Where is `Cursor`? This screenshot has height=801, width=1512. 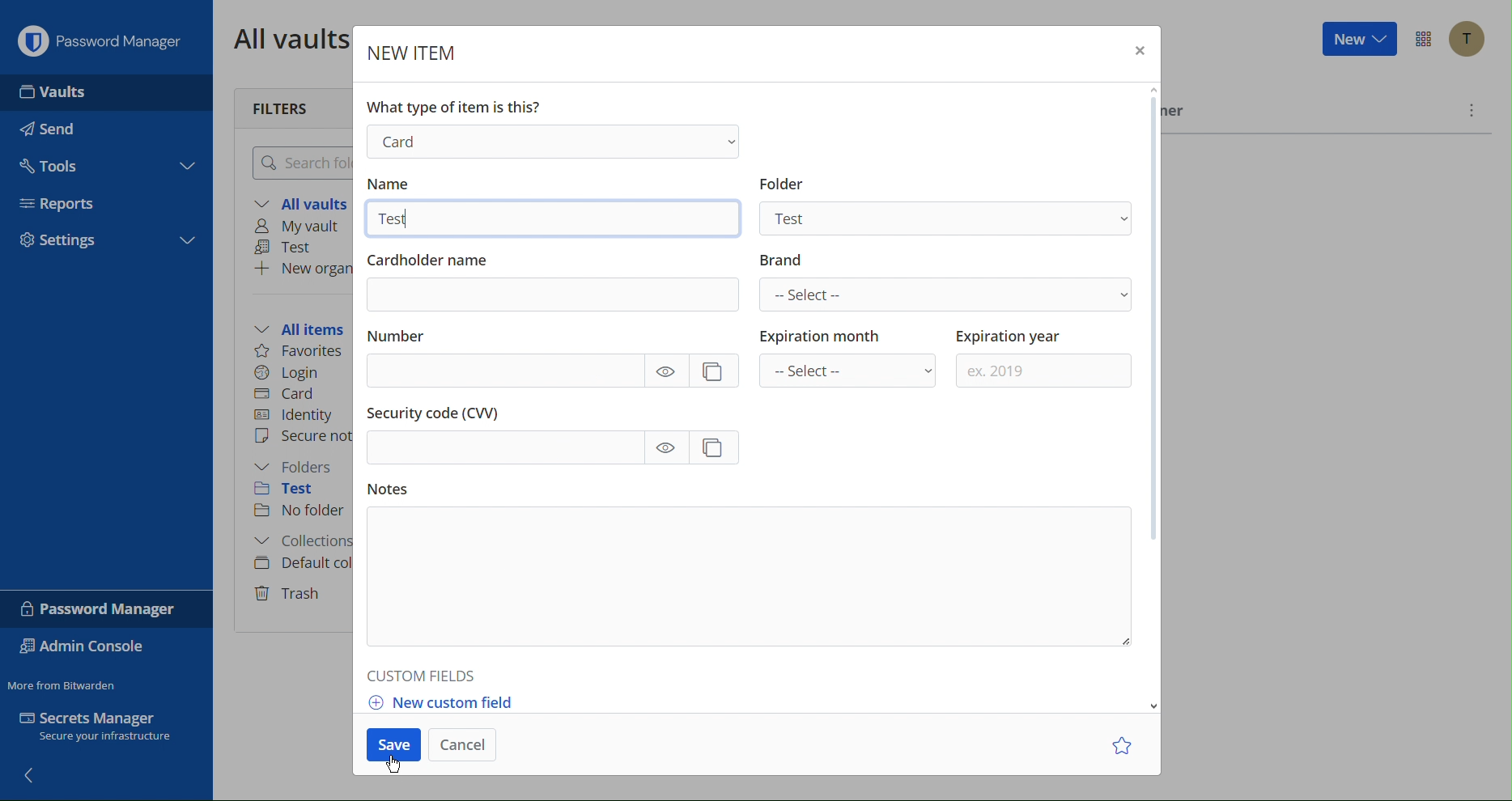
Cursor is located at coordinates (396, 767).